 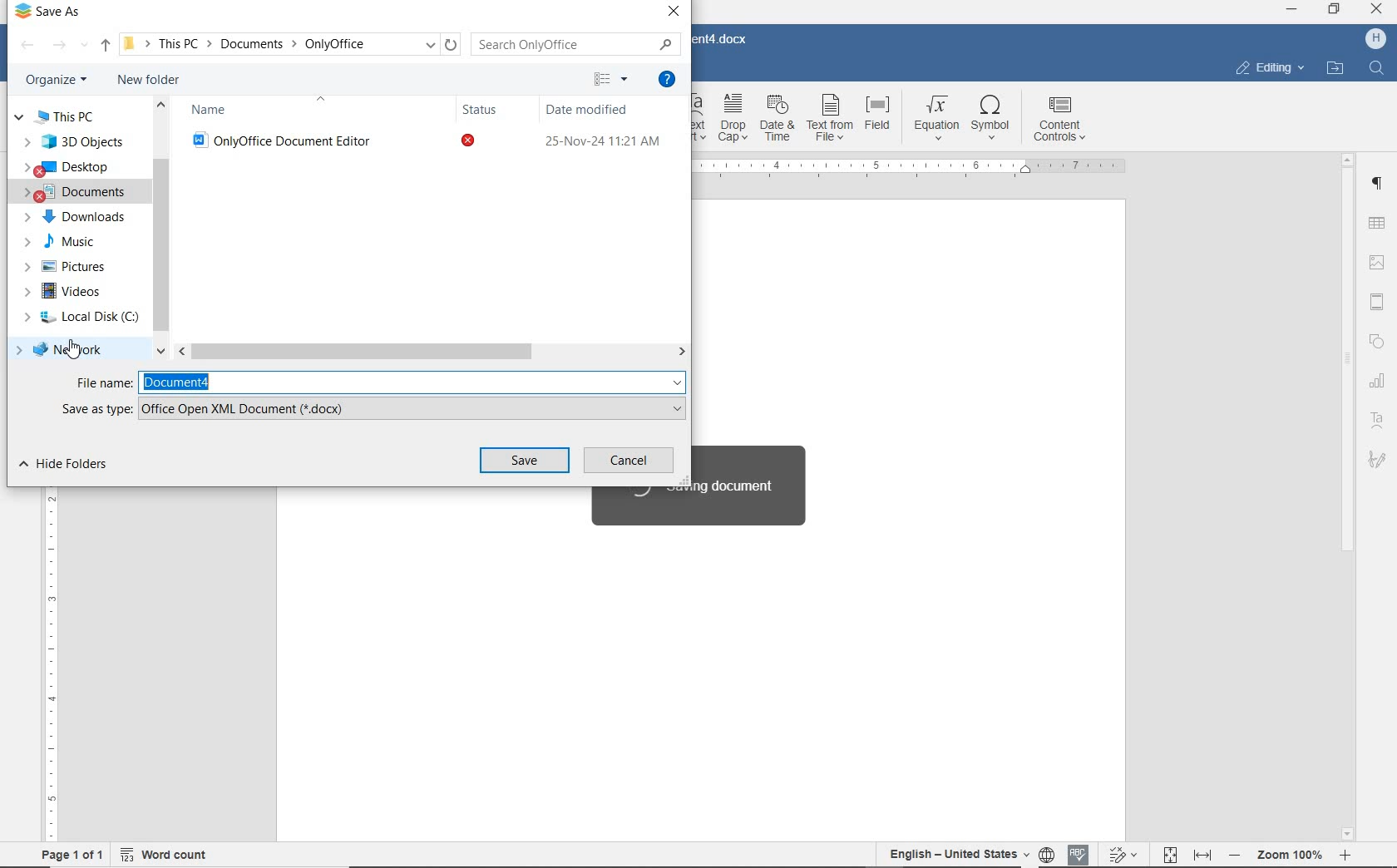 What do you see at coordinates (1128, 854) in the screenshot?
I see `Track changes` at bounding box center [1128, 854].